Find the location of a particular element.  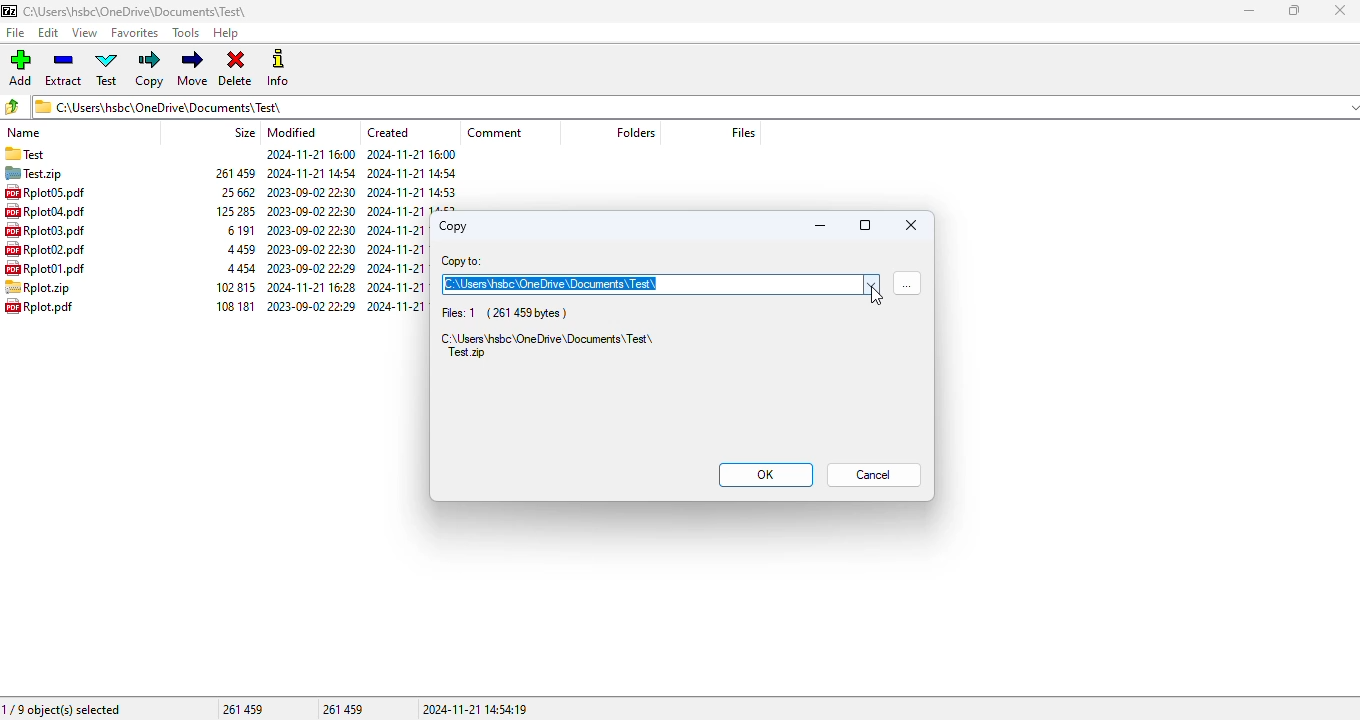

size is located at coordinates (246, 132).